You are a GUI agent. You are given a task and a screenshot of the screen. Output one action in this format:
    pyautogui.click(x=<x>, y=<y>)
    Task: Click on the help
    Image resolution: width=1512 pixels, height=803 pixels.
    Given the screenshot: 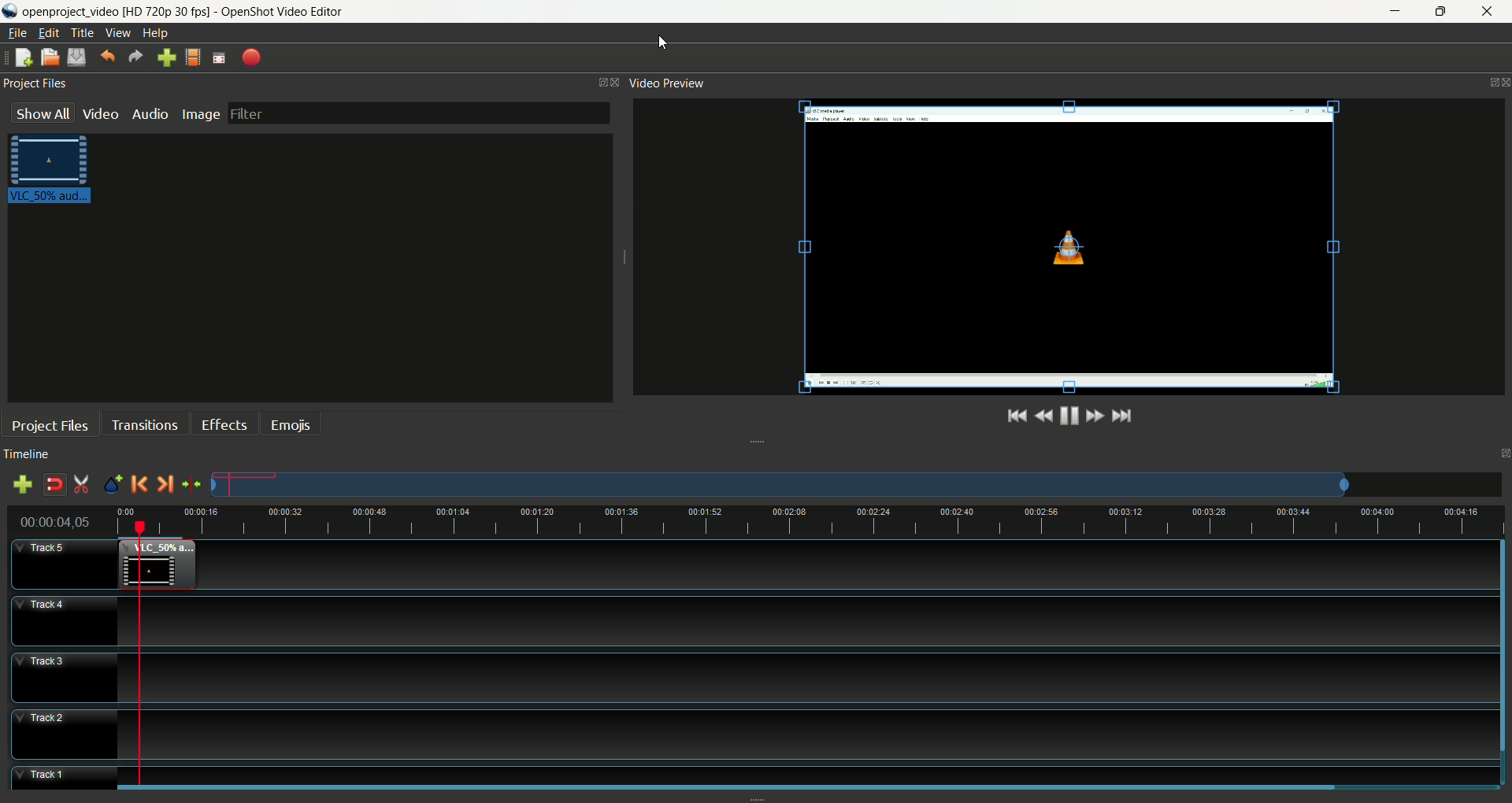 What is the action you would take?
    pyautogui.click(x=157, y=34)
    